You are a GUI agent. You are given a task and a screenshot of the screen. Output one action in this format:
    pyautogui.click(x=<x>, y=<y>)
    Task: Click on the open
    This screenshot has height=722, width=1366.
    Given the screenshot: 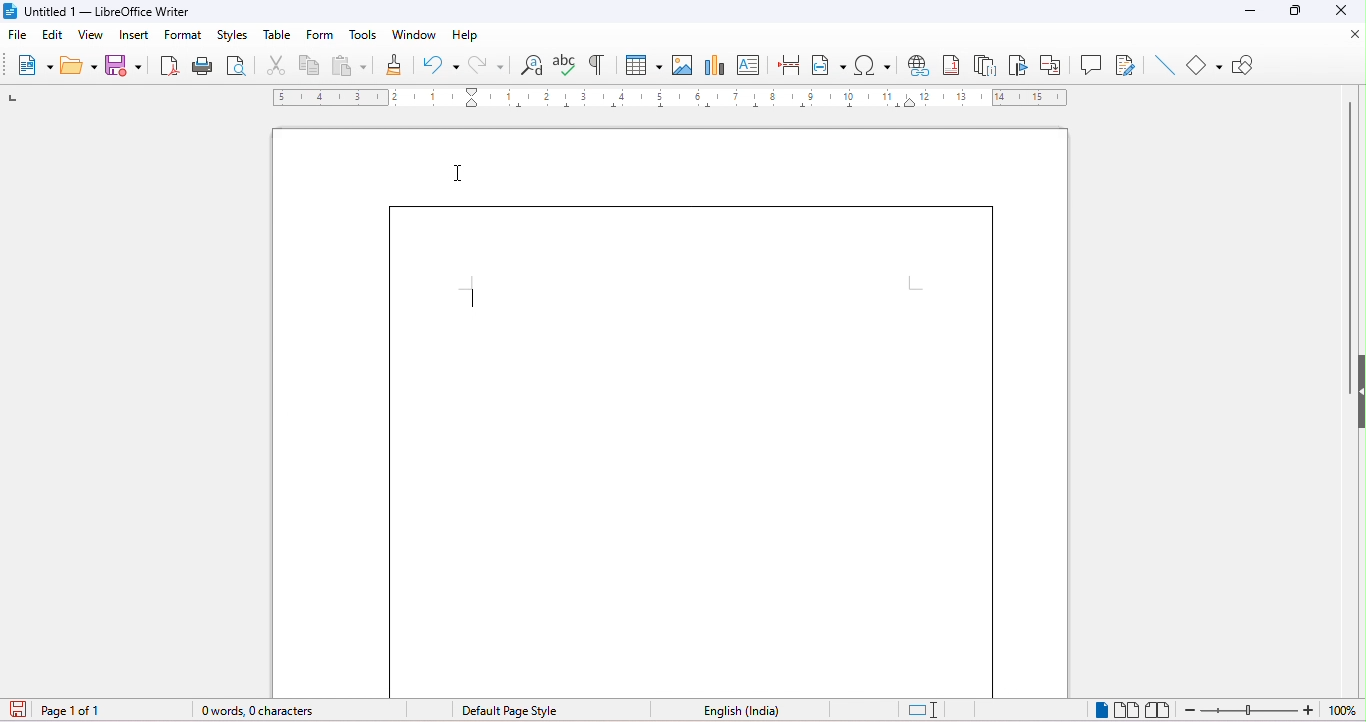 What is the action you would take?
    pyautogui.click(x=77, y=68)
    